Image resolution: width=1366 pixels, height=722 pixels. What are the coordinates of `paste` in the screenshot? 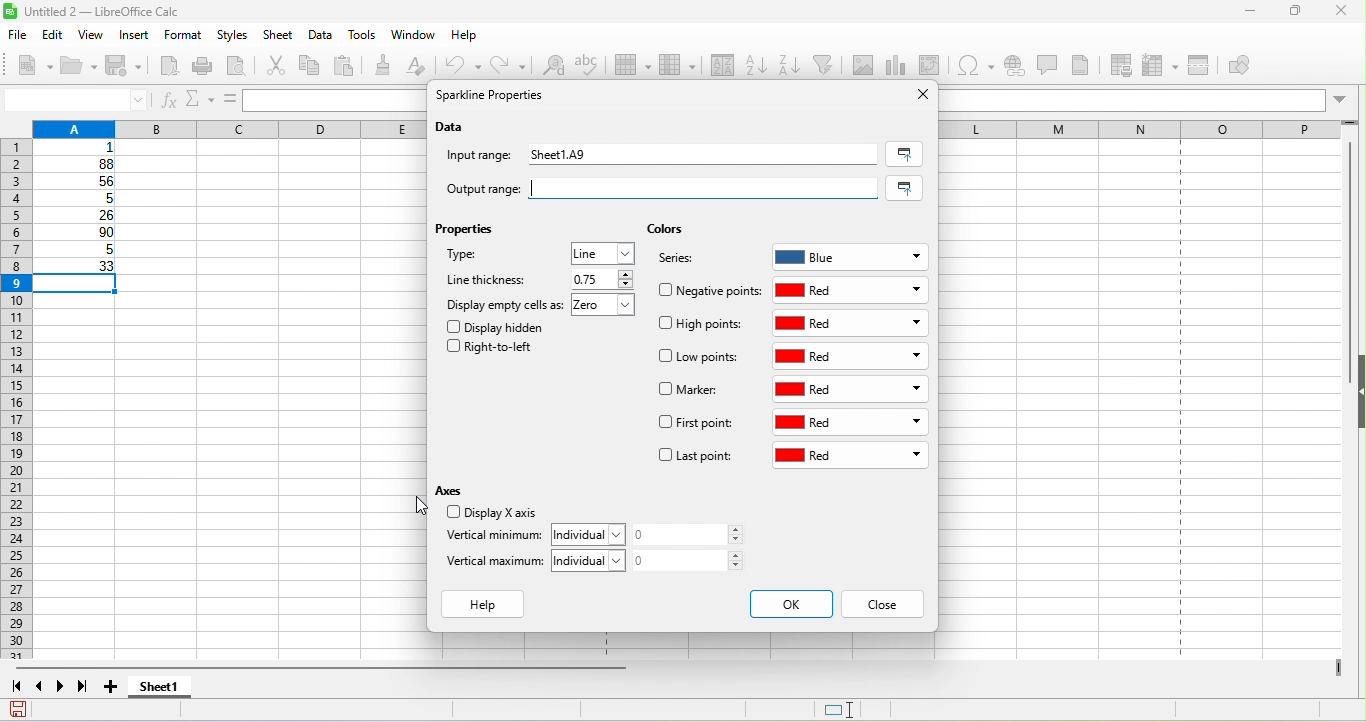 It's located at (349, 67).